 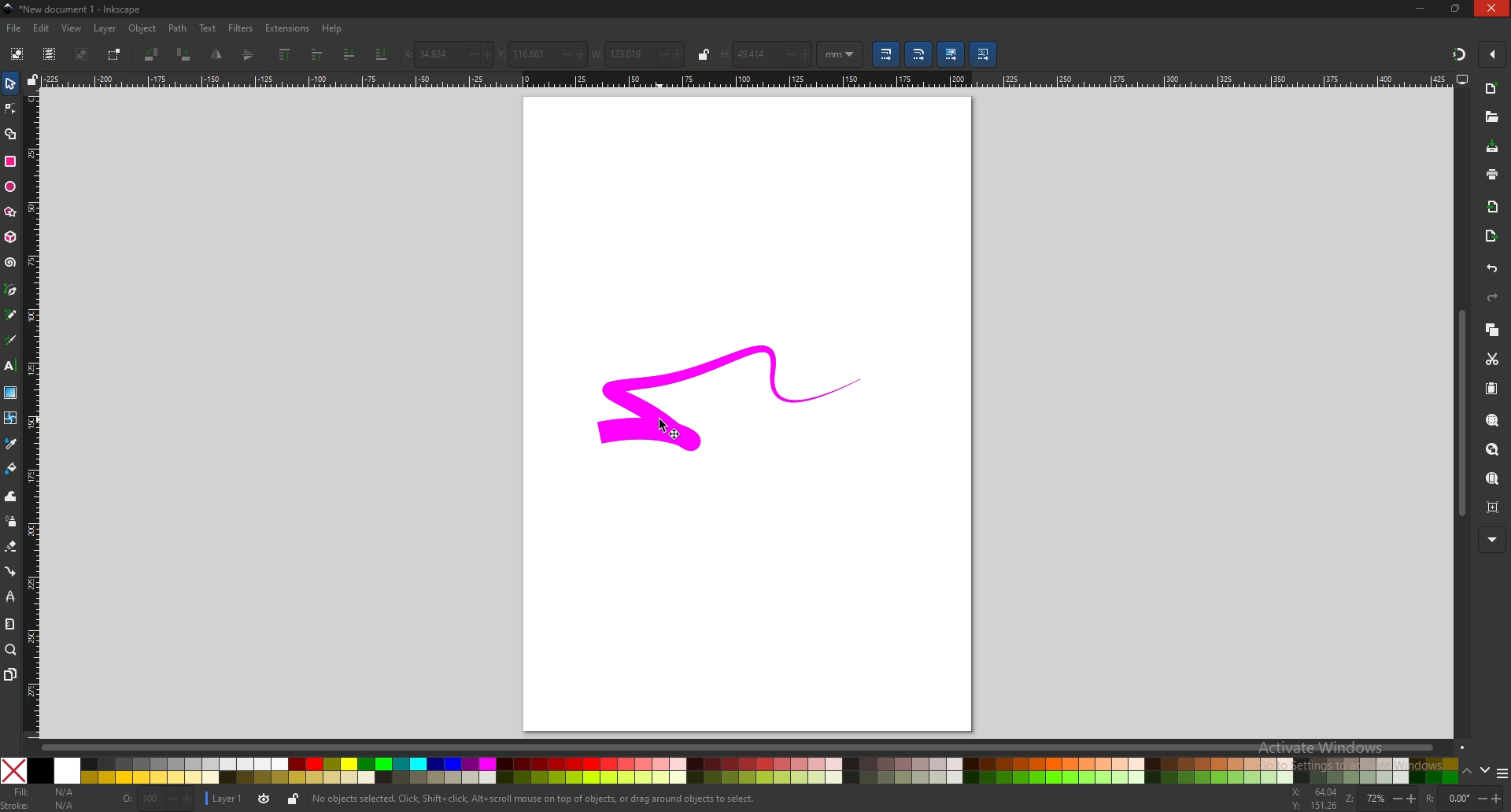 What do you see at coordinates (84, 54) in the screenshot?
I see `deselect` at bounding box center [84, 54].